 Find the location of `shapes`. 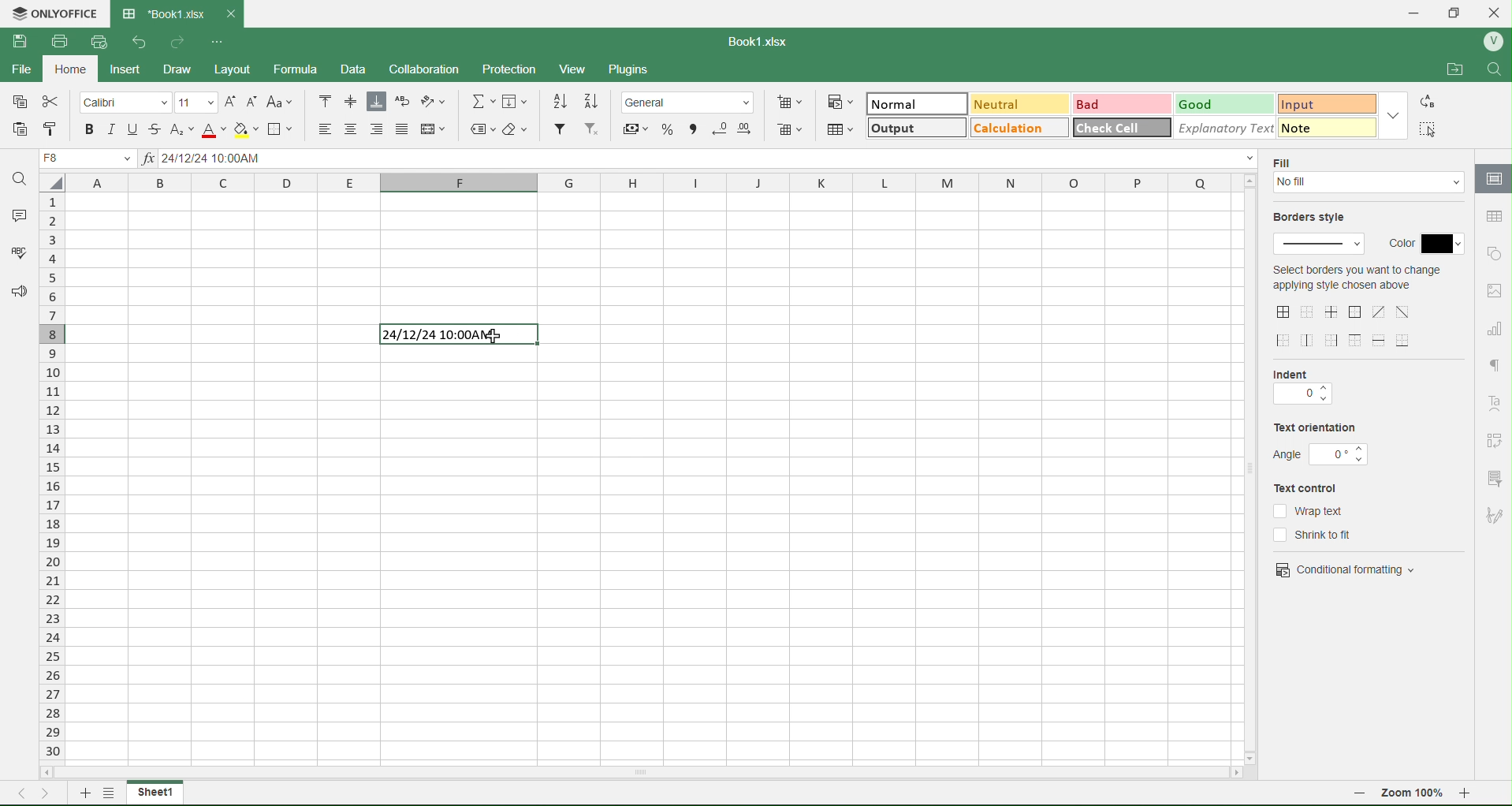

shapes is located at coordinates (1494, 252).